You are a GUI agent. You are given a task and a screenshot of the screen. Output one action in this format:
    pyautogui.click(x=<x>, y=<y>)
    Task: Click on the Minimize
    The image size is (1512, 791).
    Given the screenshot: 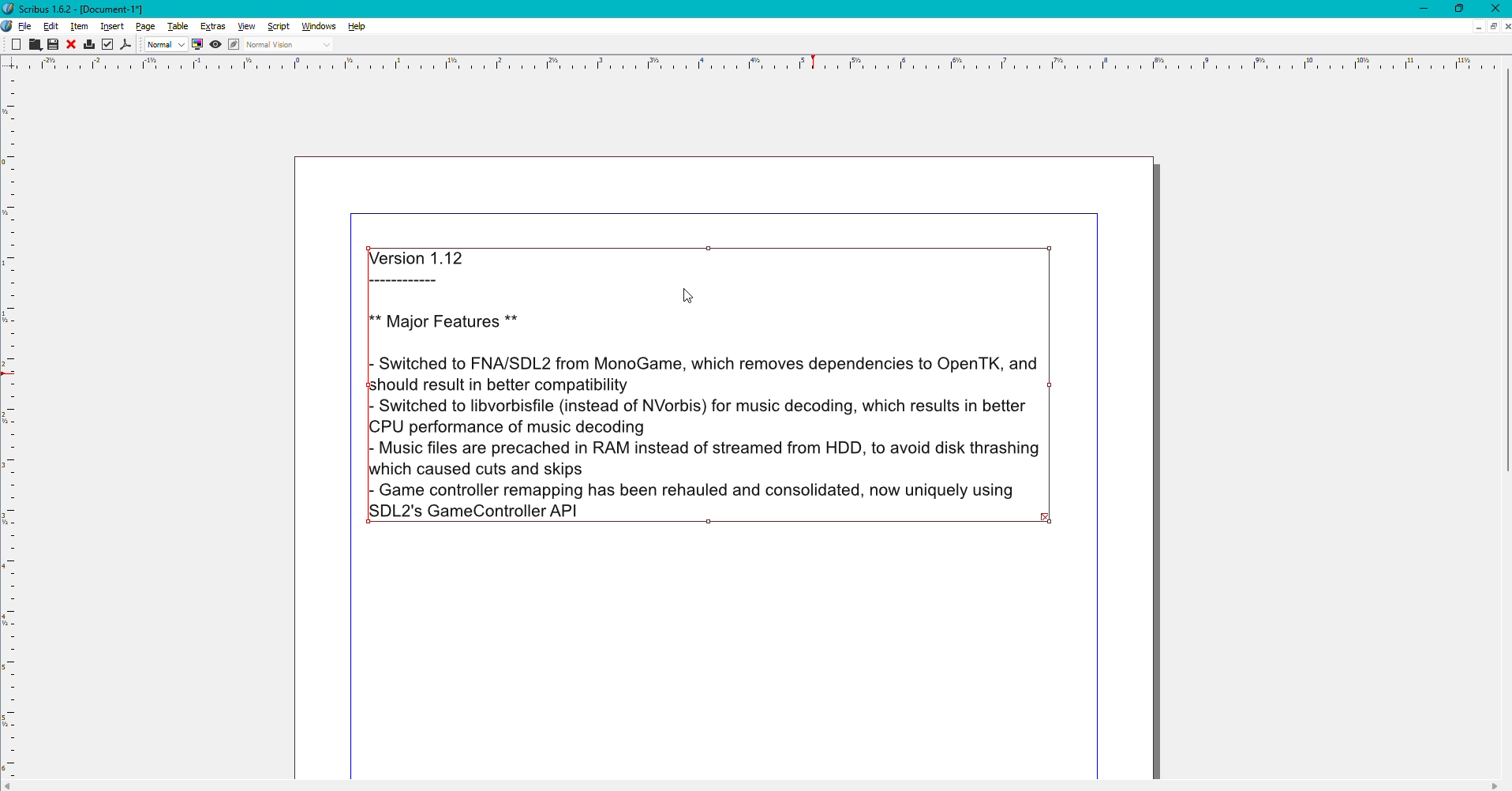 What is the action you would take?
    pyautogui.click(x=1419, y=9)
    